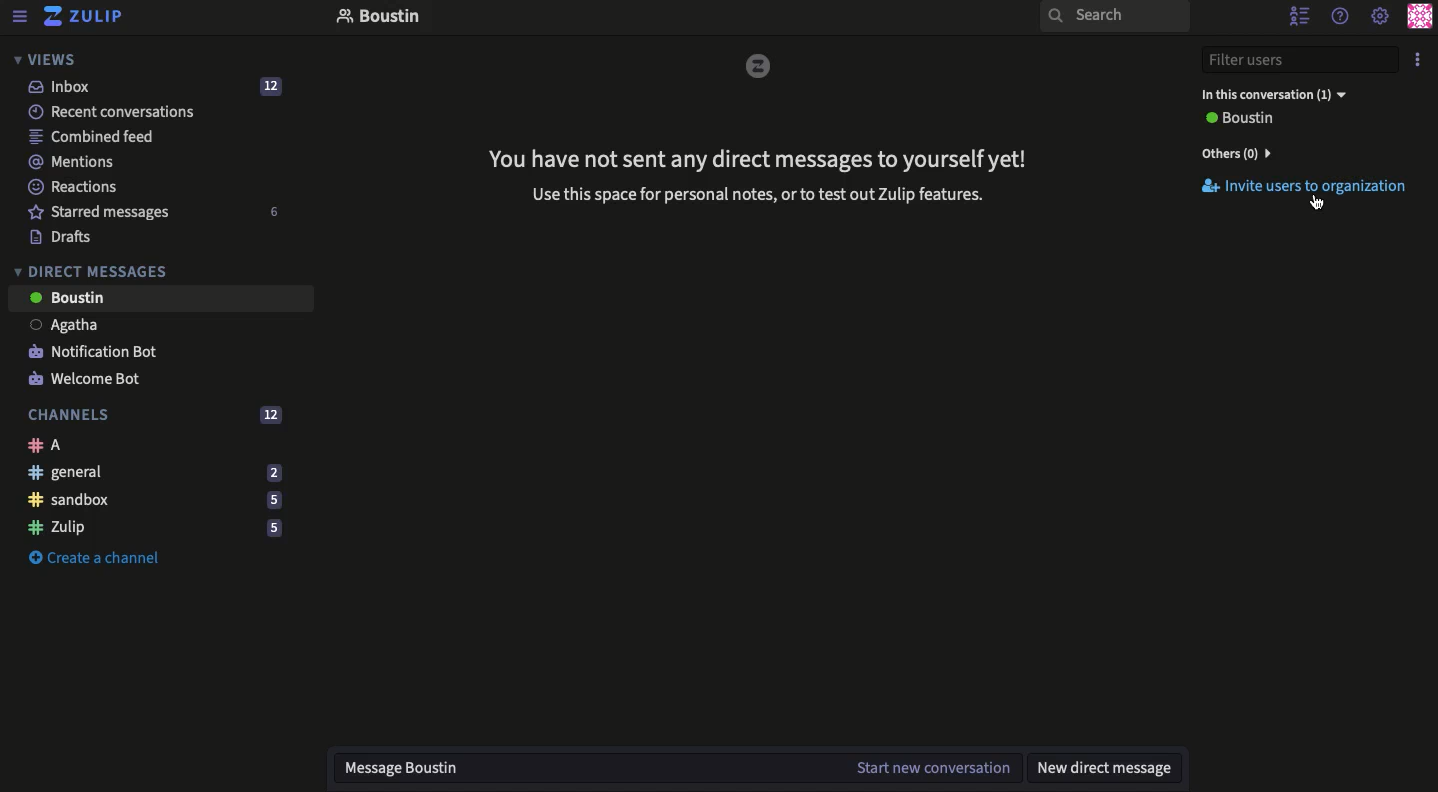  I want to click on Channels, so click(150, 416).